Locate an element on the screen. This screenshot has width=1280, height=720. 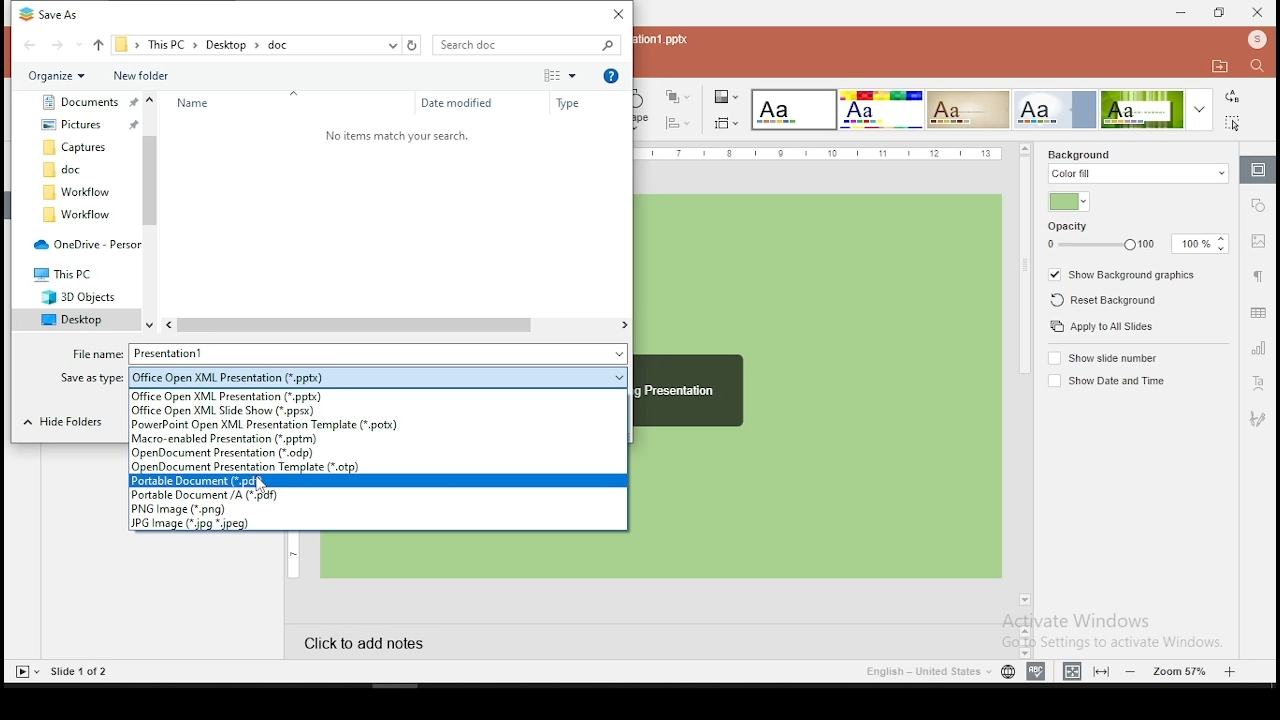
One Drive - personal is located at coordinates (84, 244).